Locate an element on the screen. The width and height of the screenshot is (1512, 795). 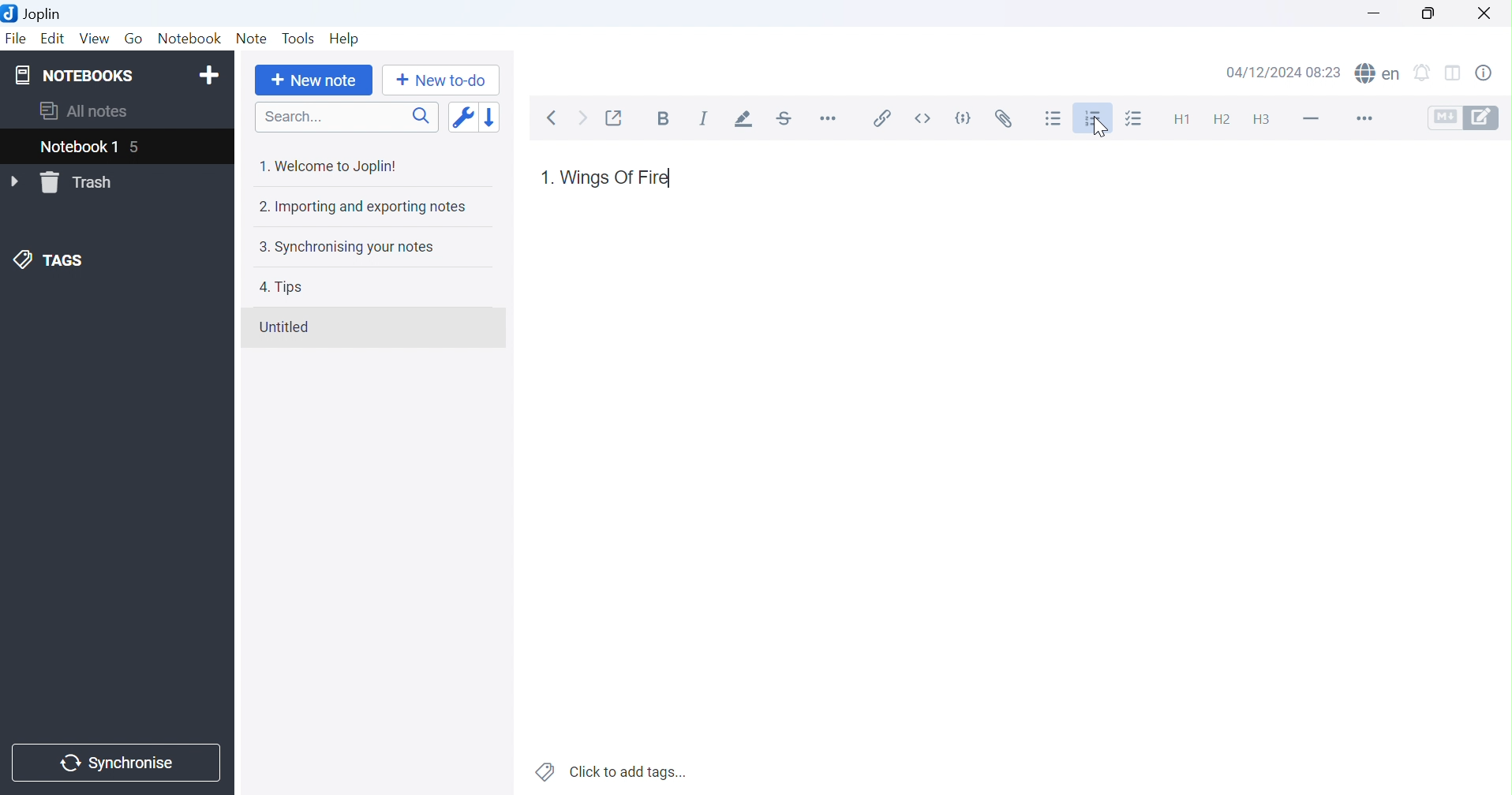
Wings of Fire is located at coordinates (616, 177).